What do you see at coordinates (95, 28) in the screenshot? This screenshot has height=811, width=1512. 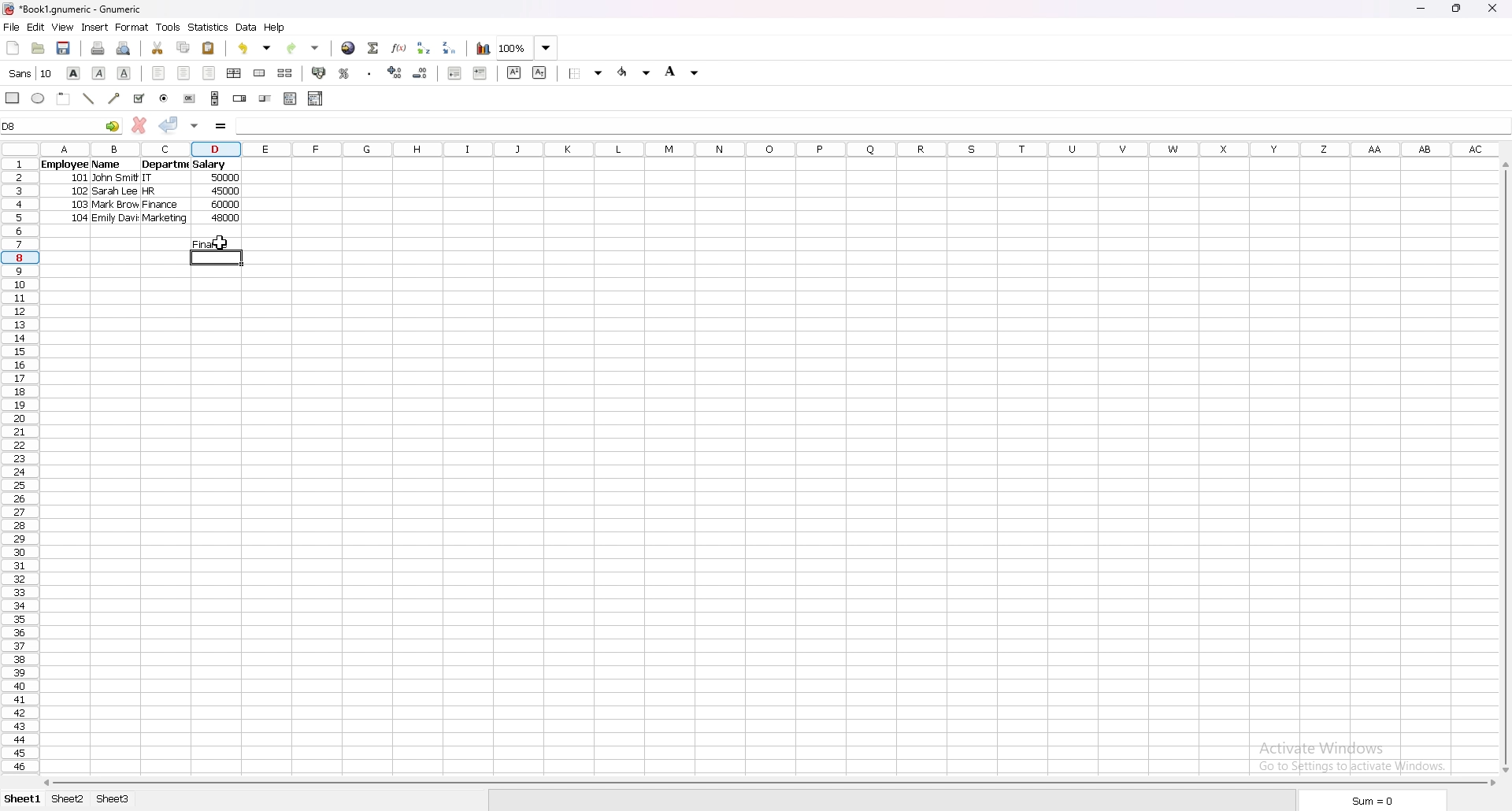 I see `insert` at bounding box center [95, 28].